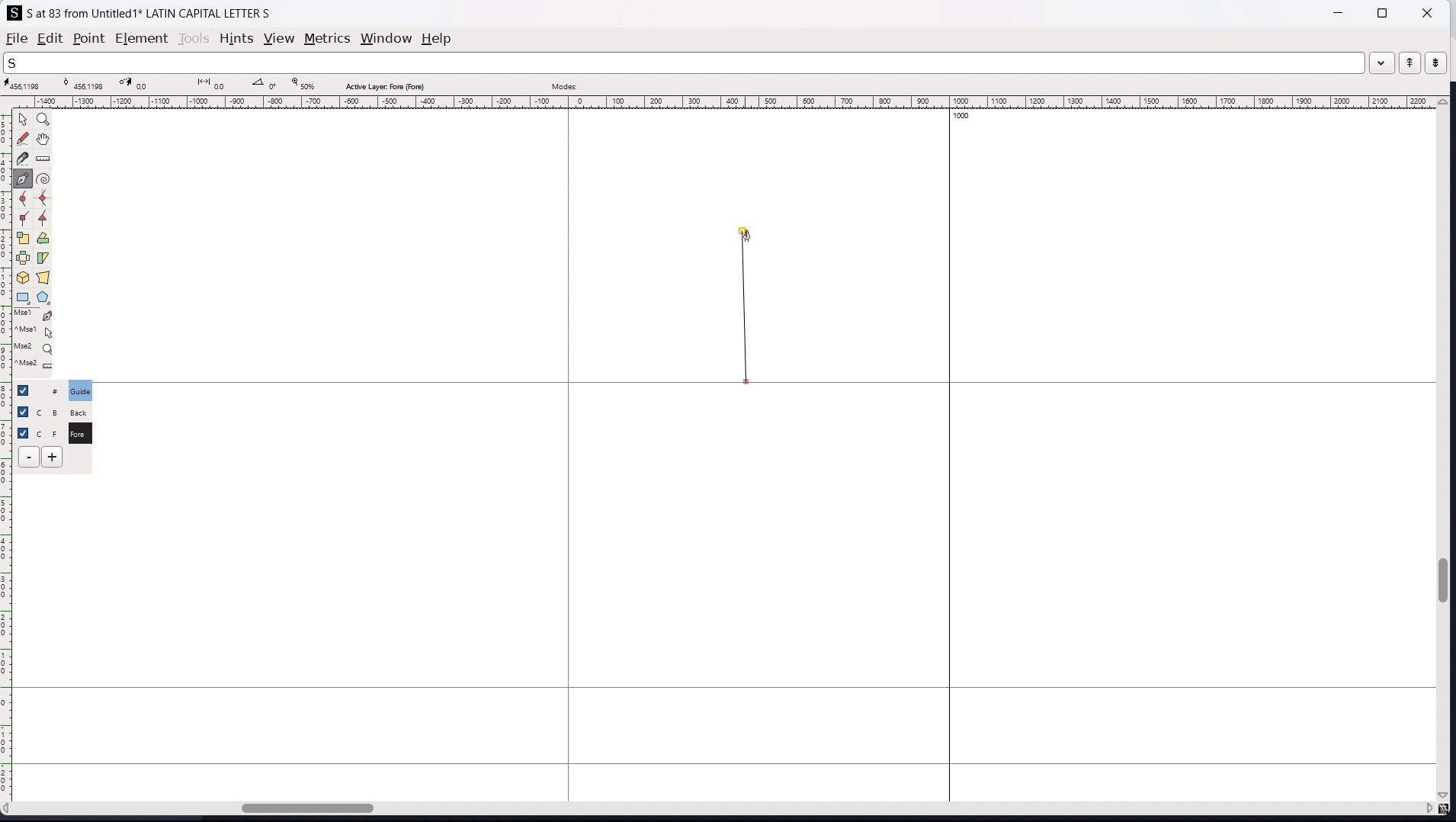 Image resolution: width=1456 pixels, height=822 pixels. I want to click on view, so click(279, 39).